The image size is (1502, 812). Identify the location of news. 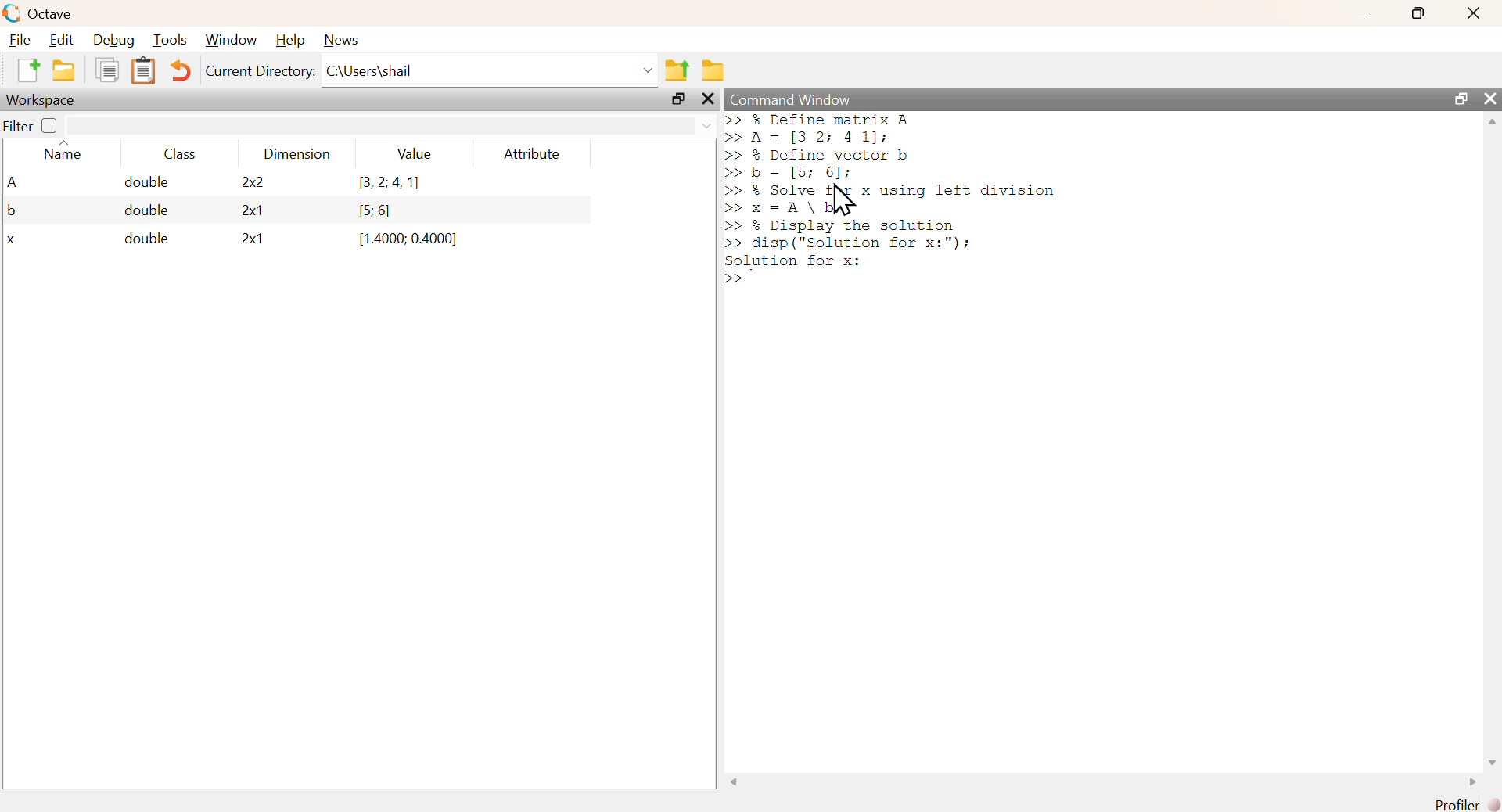
(341, 39).